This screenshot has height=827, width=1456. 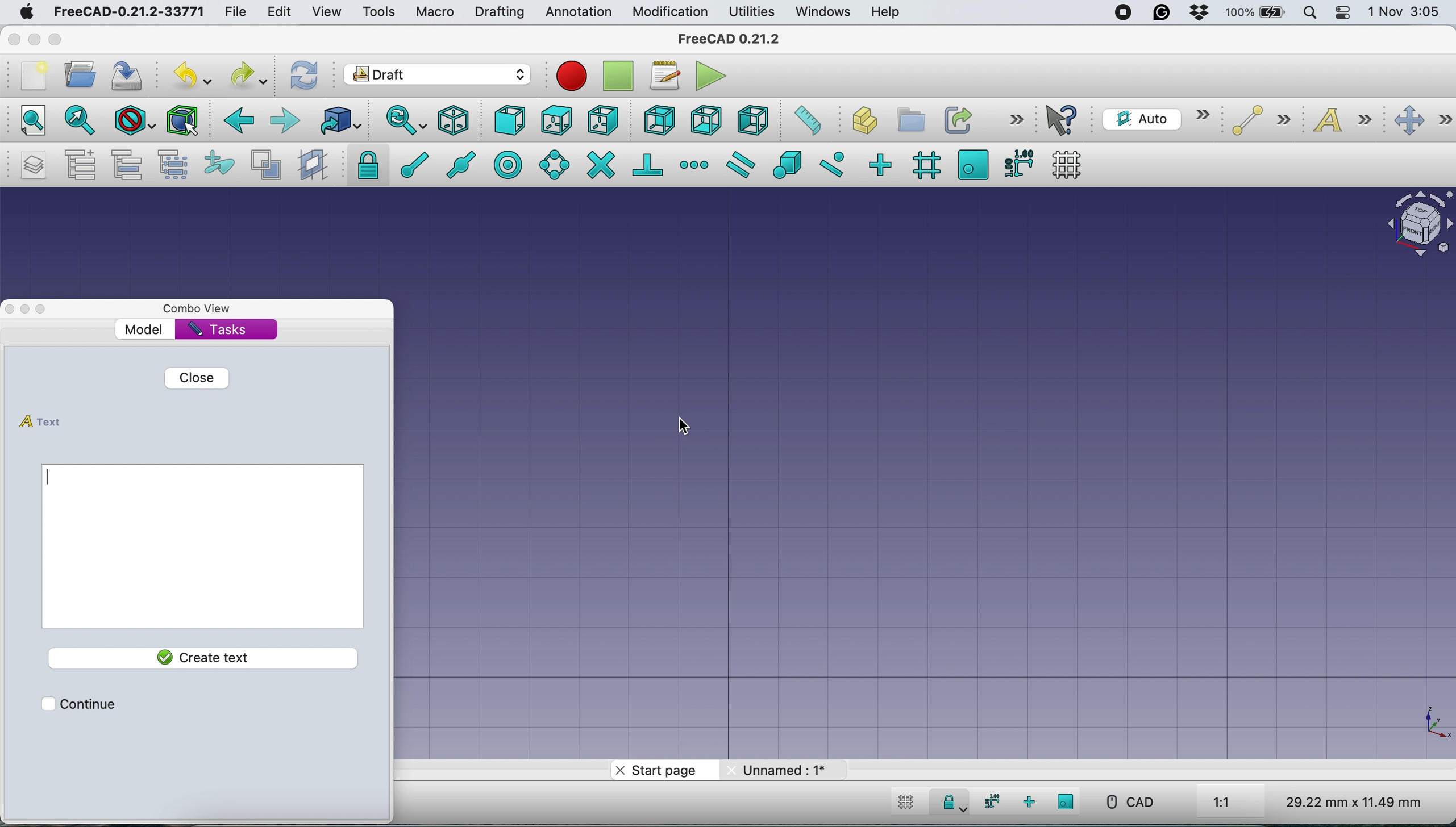 What do you see at coordinates (432, 11) in the screenshot?
I see `macro` at bounding box center [432, 11].